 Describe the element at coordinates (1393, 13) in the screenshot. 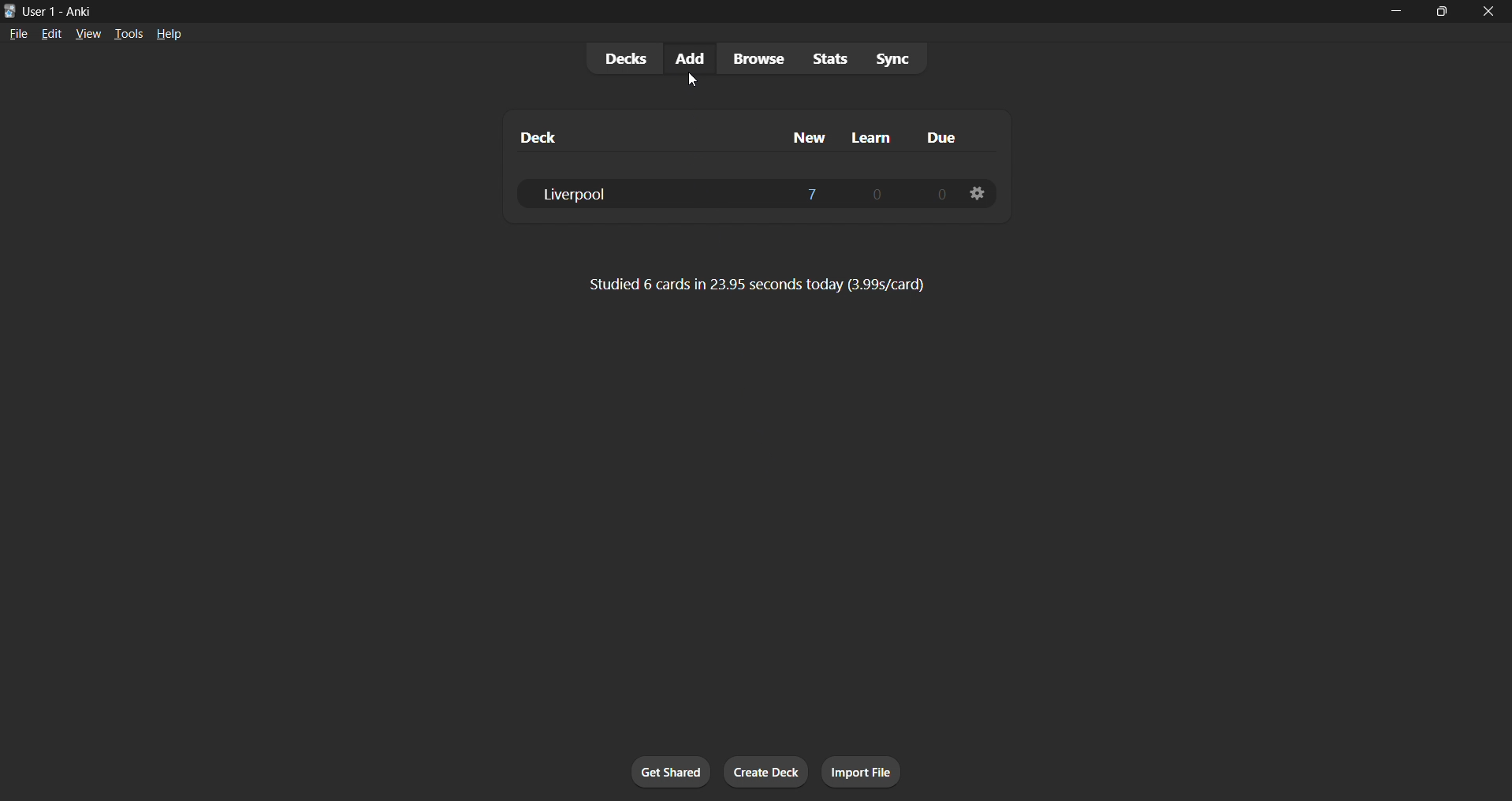

I see `minimize` at that location.